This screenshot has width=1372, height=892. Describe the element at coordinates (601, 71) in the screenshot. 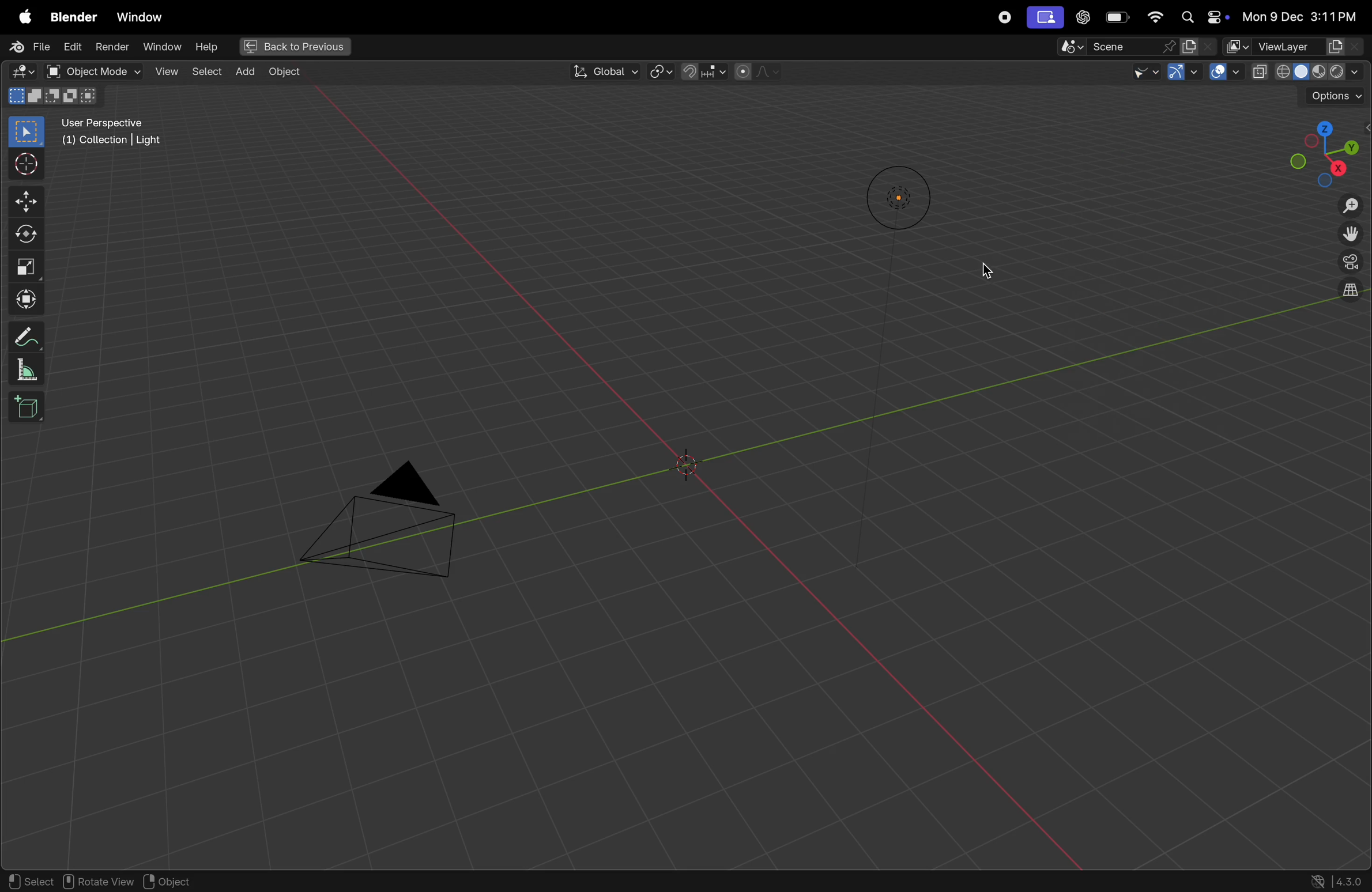

I see `global` at that location.